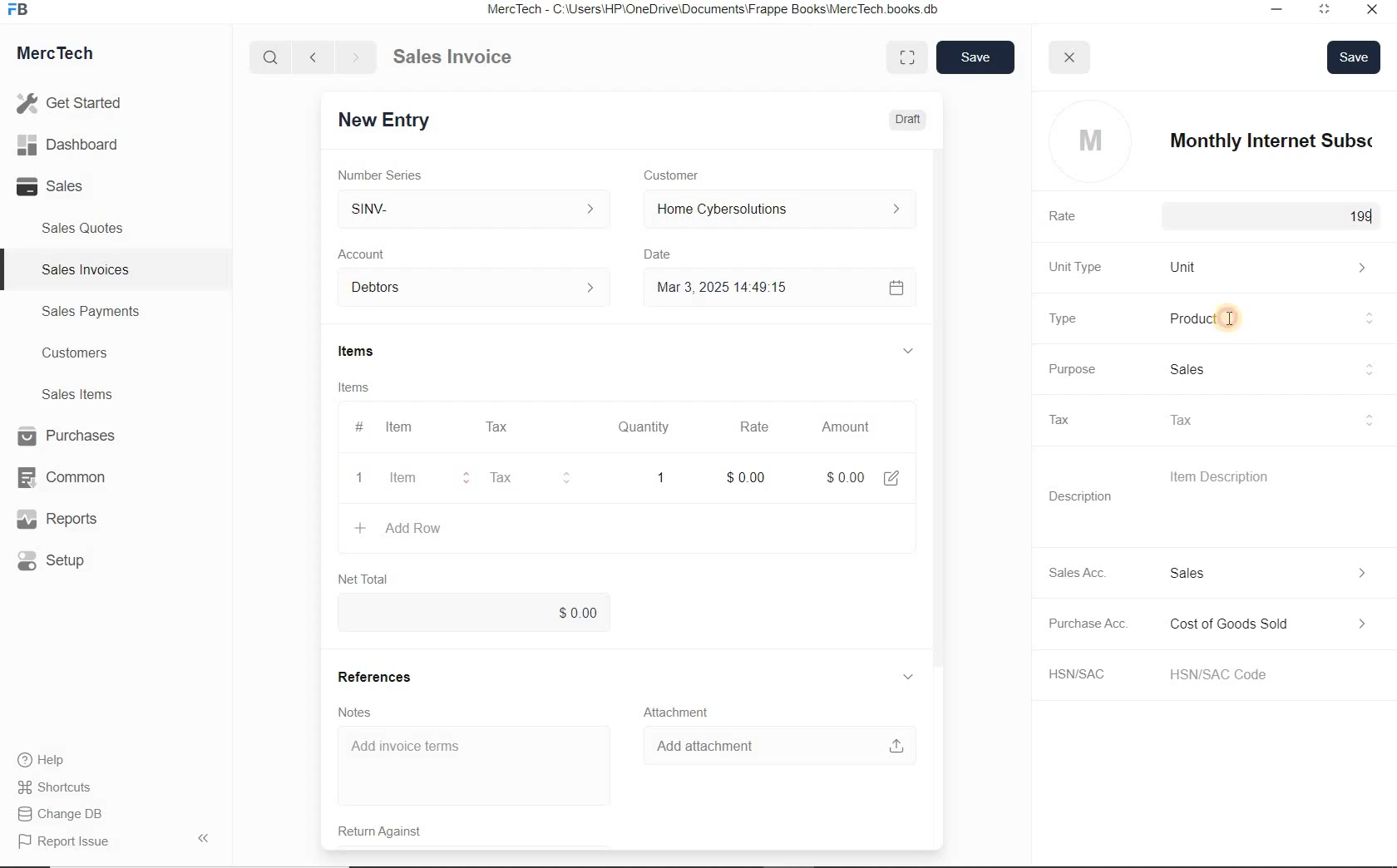 The width and height of the screenshot is (1397, 868). I want to click on Add invoice terms, so click(474, 766).